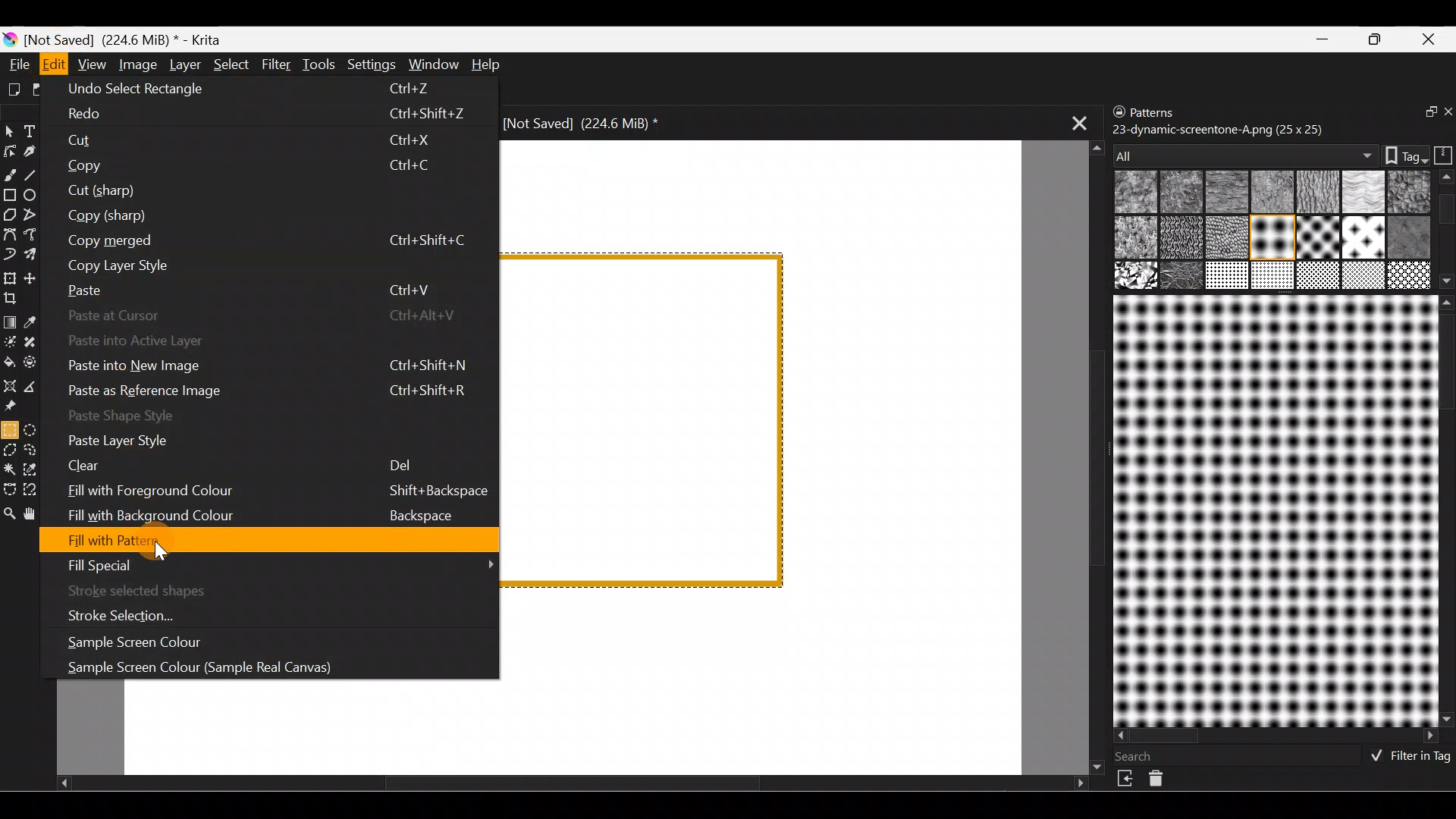 This screenshot has width=1456, height=819. What do you see at coordinates (1179, 239) in the screenshot?
I see `09 drawed_crosshatched.png` at bounding box center [1179, 239].